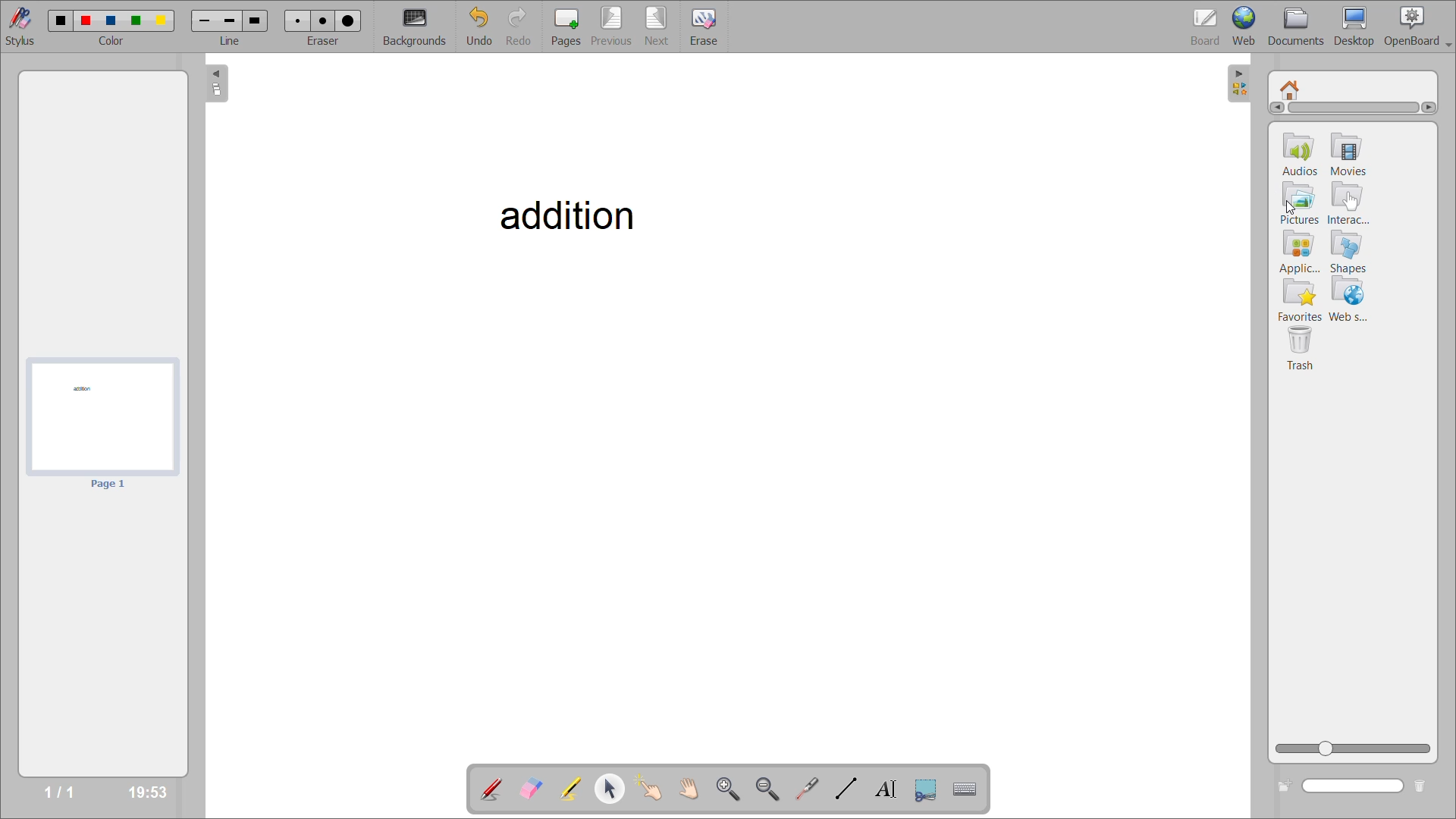 Image resolution: width=1456 pixels, height=819 pixels. Describe the element at coordinates (87, 22) in the screenshot. I see `color 2` at that location.